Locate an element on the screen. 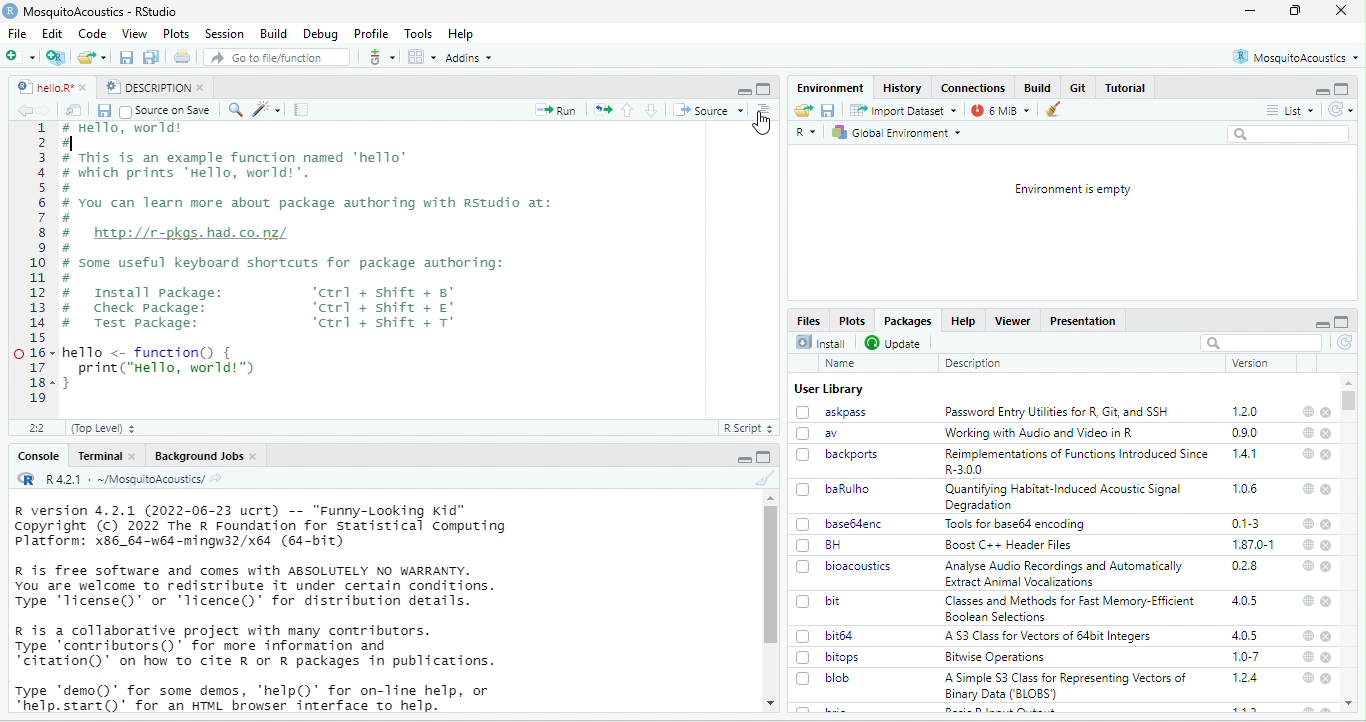 This screenshot has height=722, width=1366. save all open documents is located at coordinates (152, 57).